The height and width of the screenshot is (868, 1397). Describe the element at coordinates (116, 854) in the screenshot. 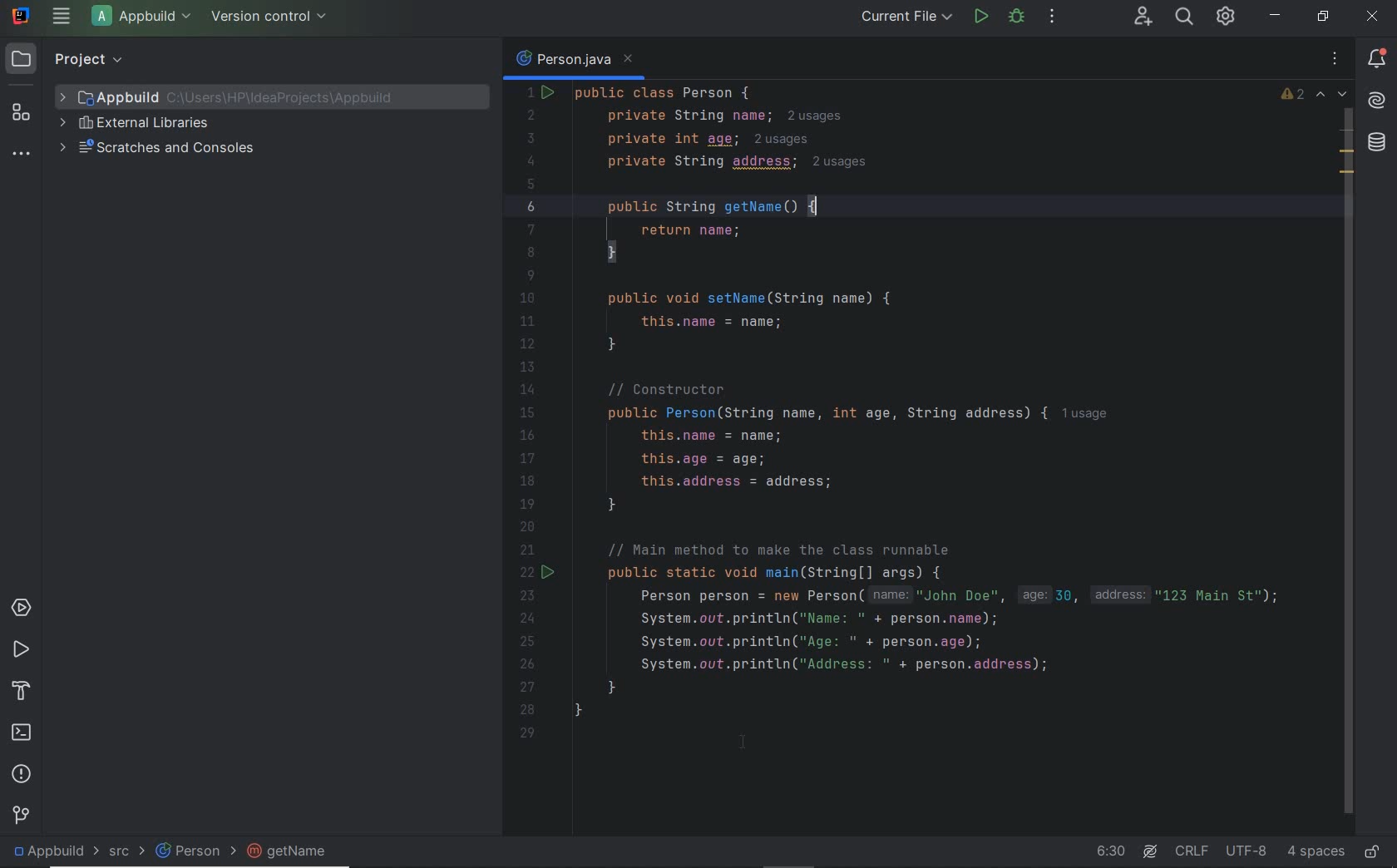

I see `src` at that location.